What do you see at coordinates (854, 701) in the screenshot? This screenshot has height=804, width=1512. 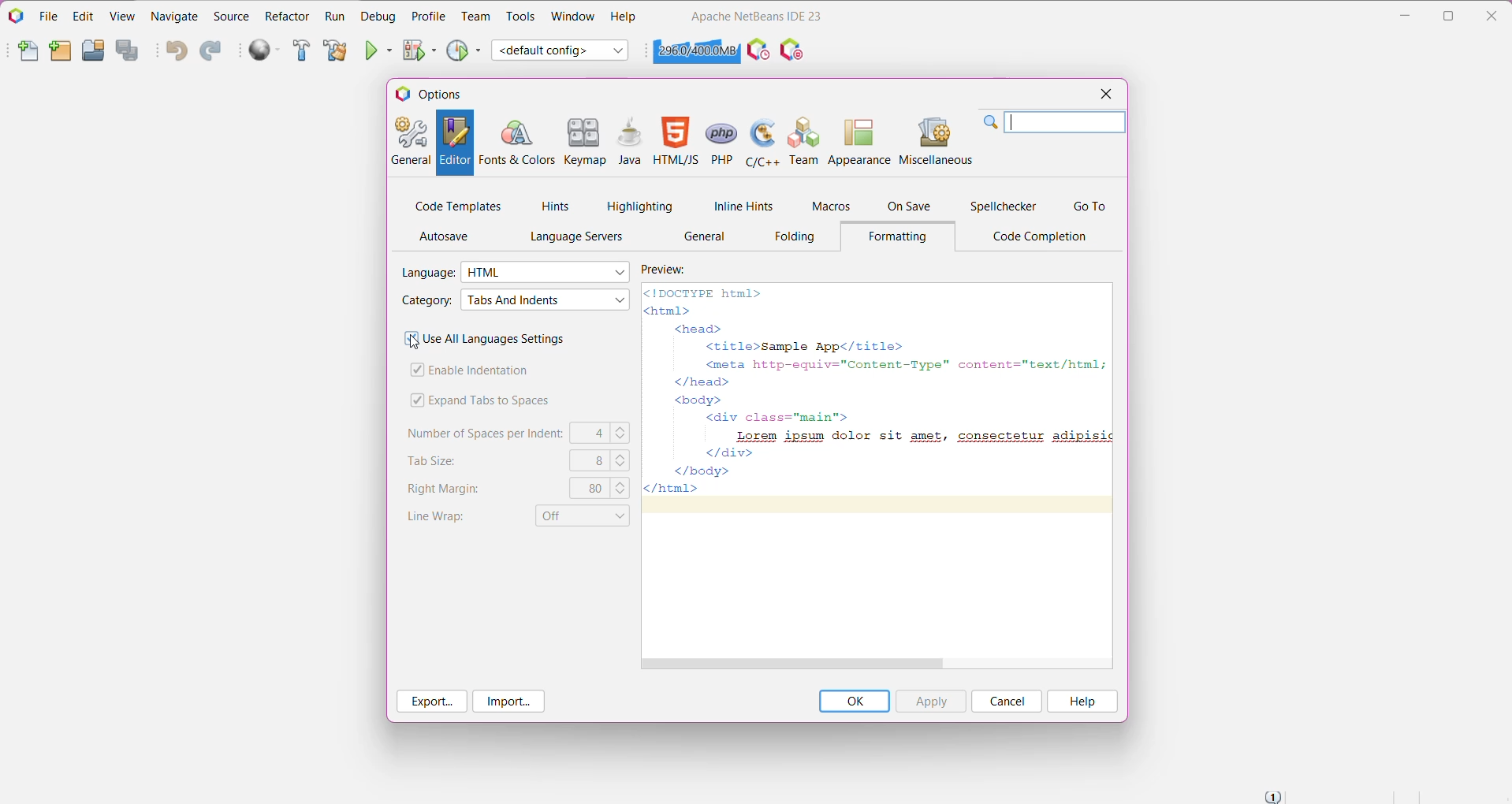 I see `OK` at bounding box center [854, 701].